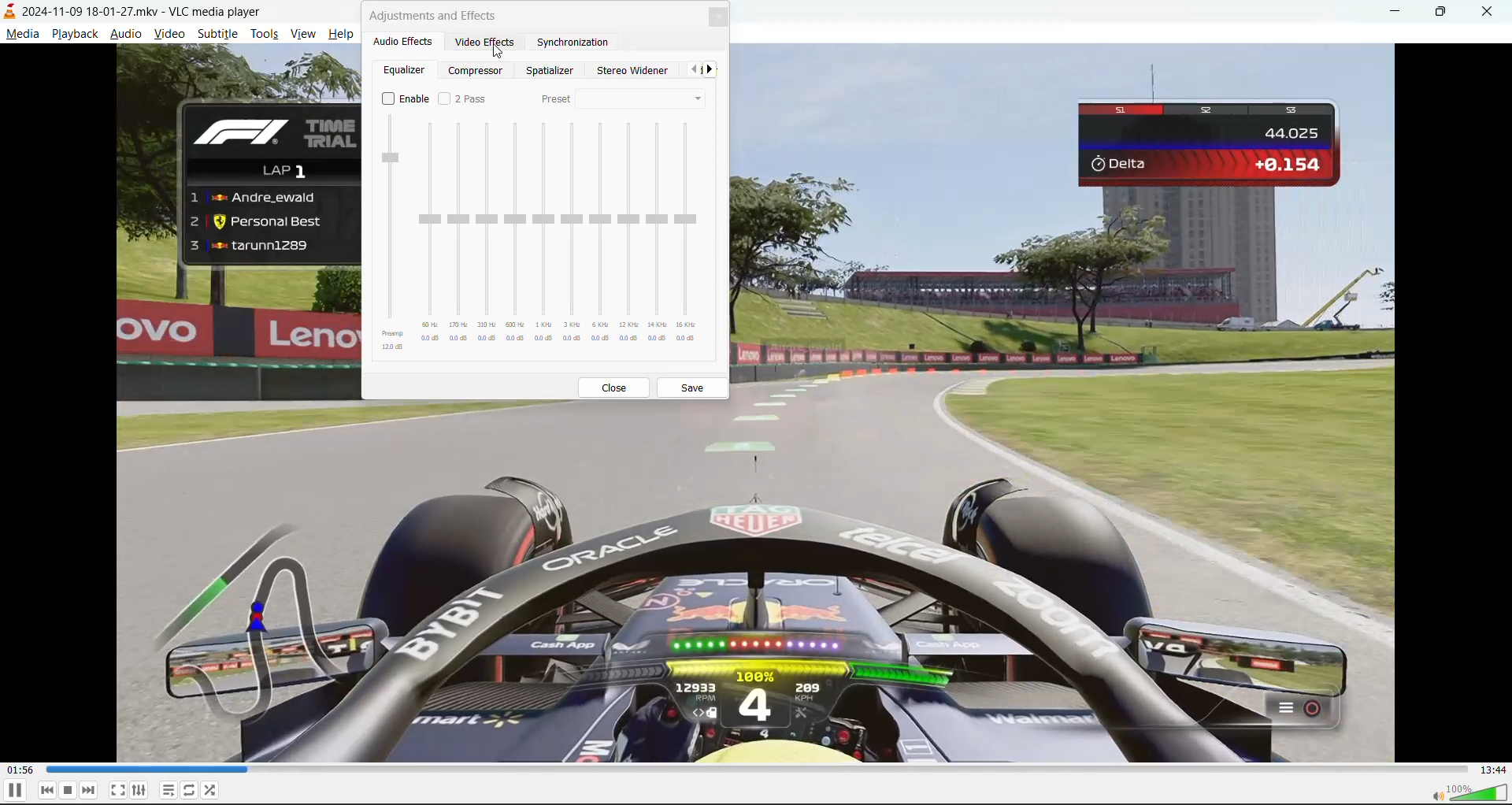 The image size is (1512, 805). What do you see at coordinates (478, 40) in the screenshot?
I see `video effects` at bounding box center [478, 40].